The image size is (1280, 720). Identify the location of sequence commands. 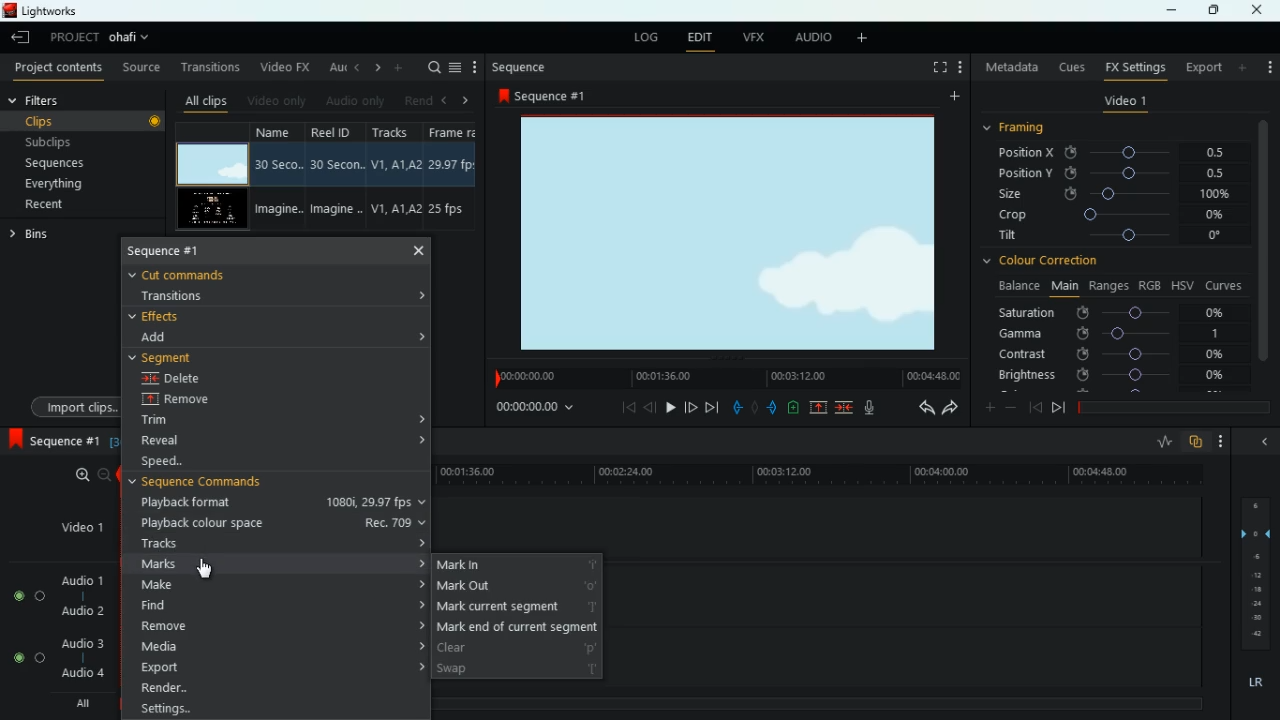
(210, 481).